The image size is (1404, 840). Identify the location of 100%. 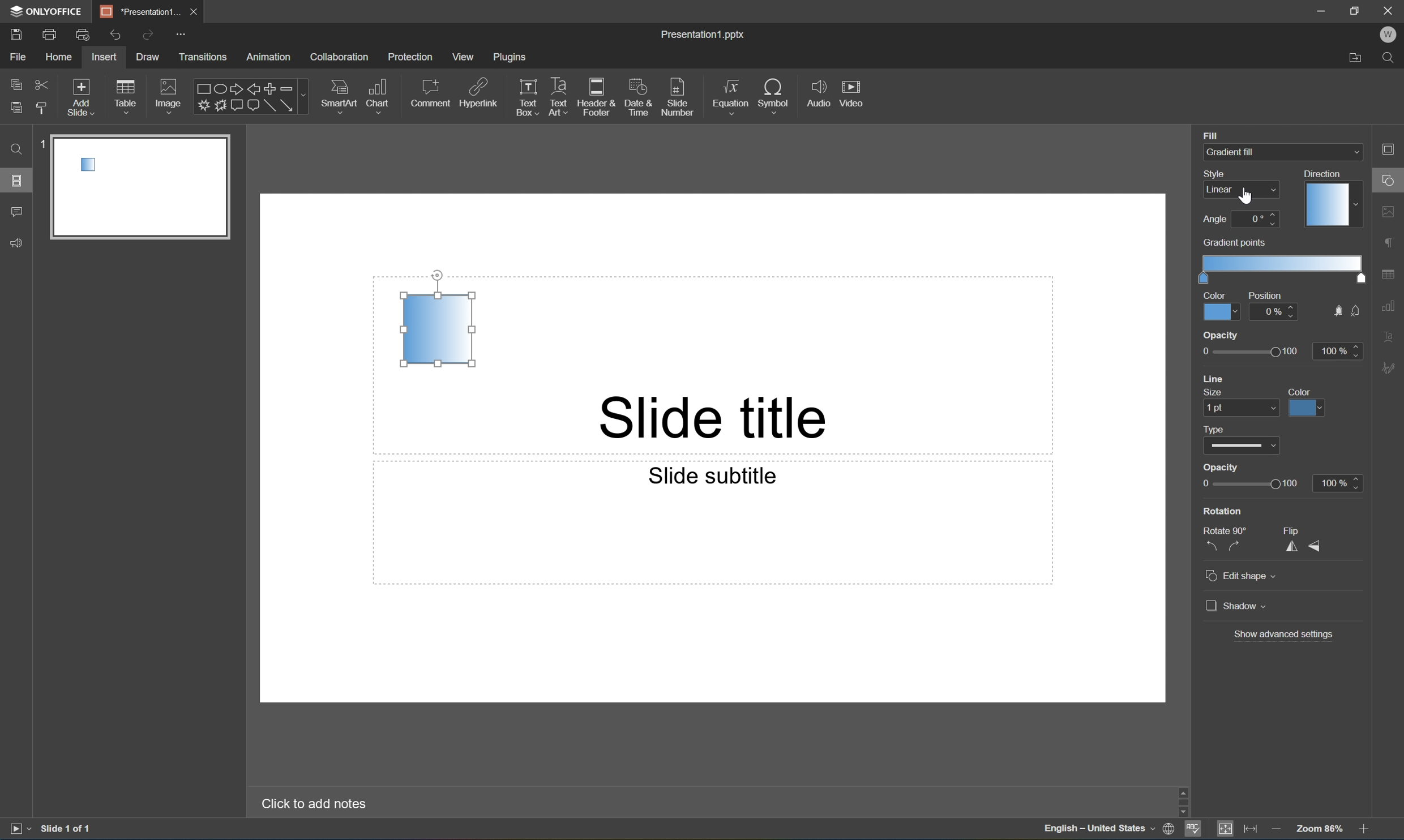
(1338, 485).